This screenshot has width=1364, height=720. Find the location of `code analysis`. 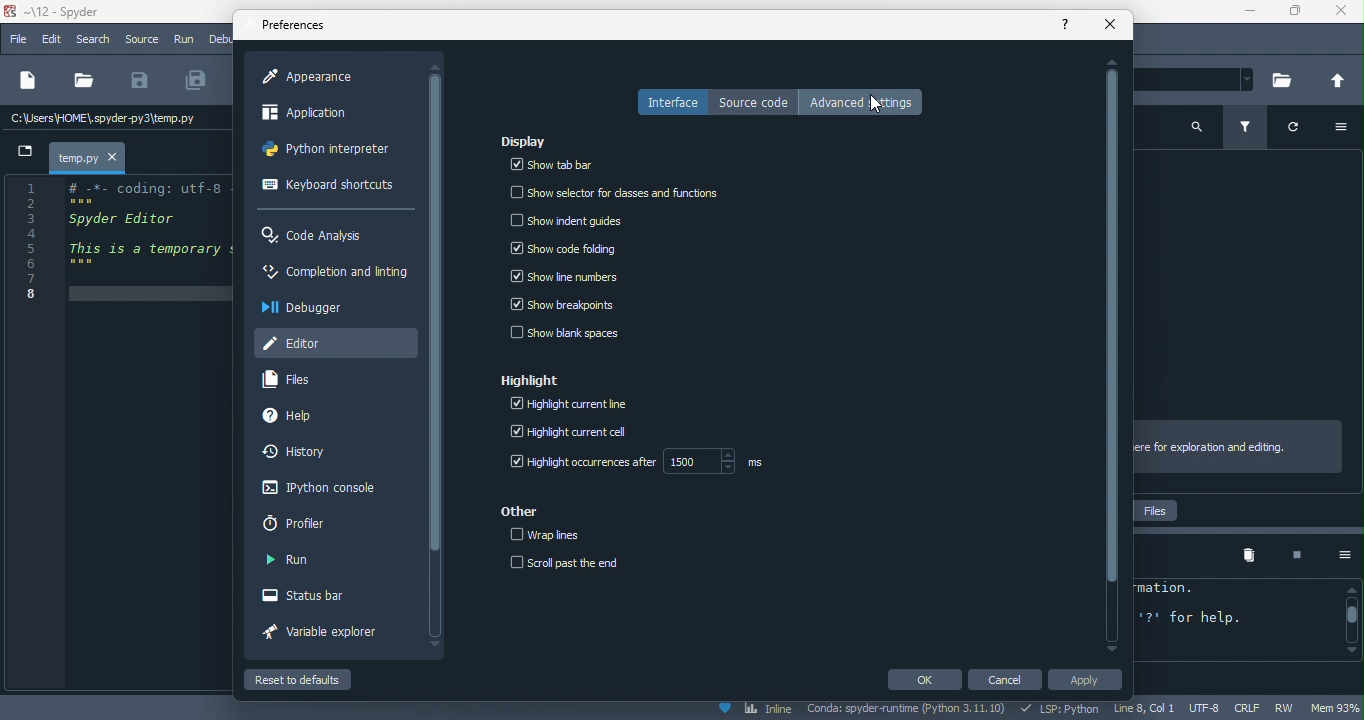

code analysis is located at coordinates (318, 236).